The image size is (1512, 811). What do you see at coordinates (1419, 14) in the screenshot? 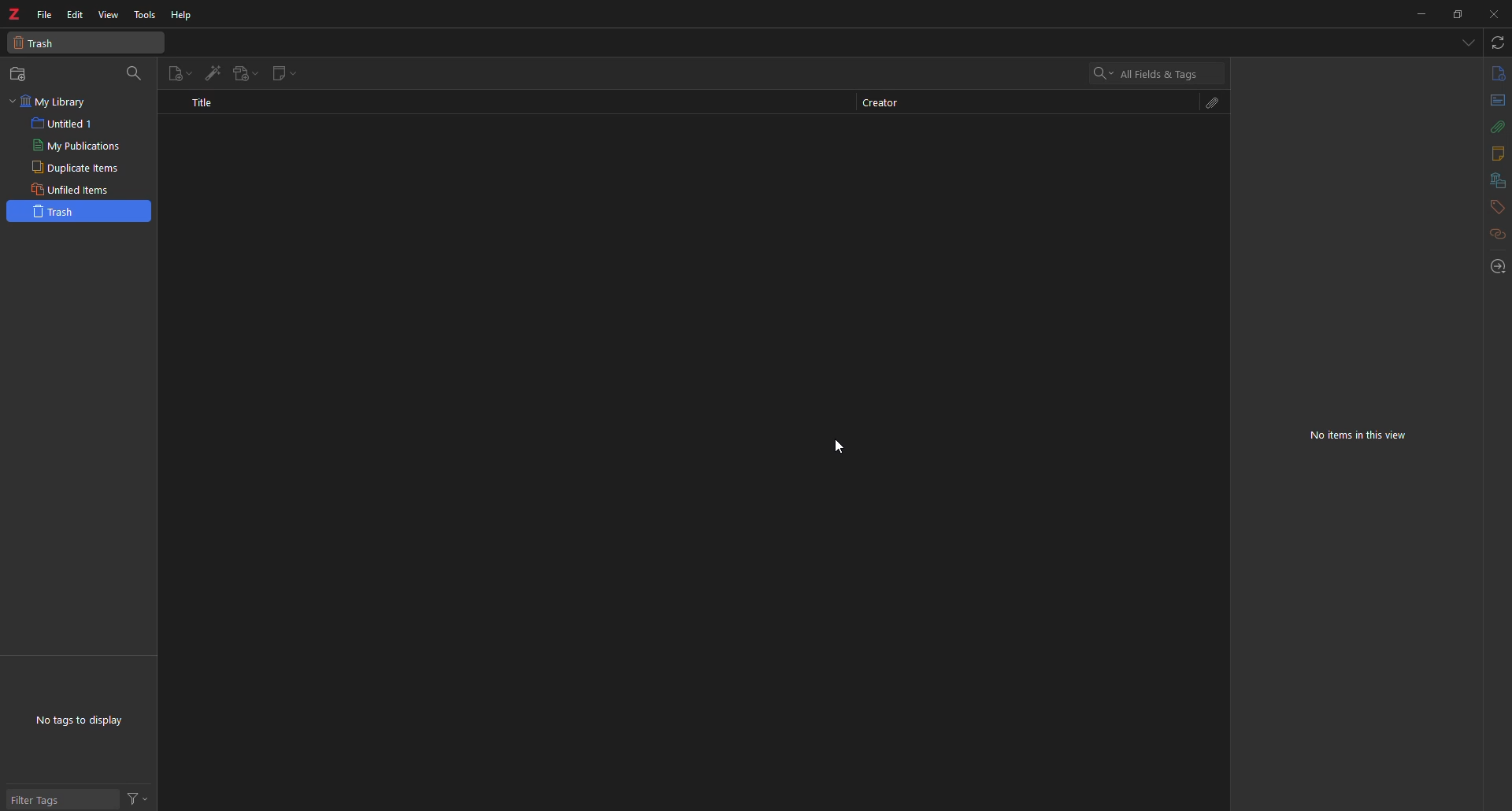
I see `minimize` at bounding box center [1419, 14].